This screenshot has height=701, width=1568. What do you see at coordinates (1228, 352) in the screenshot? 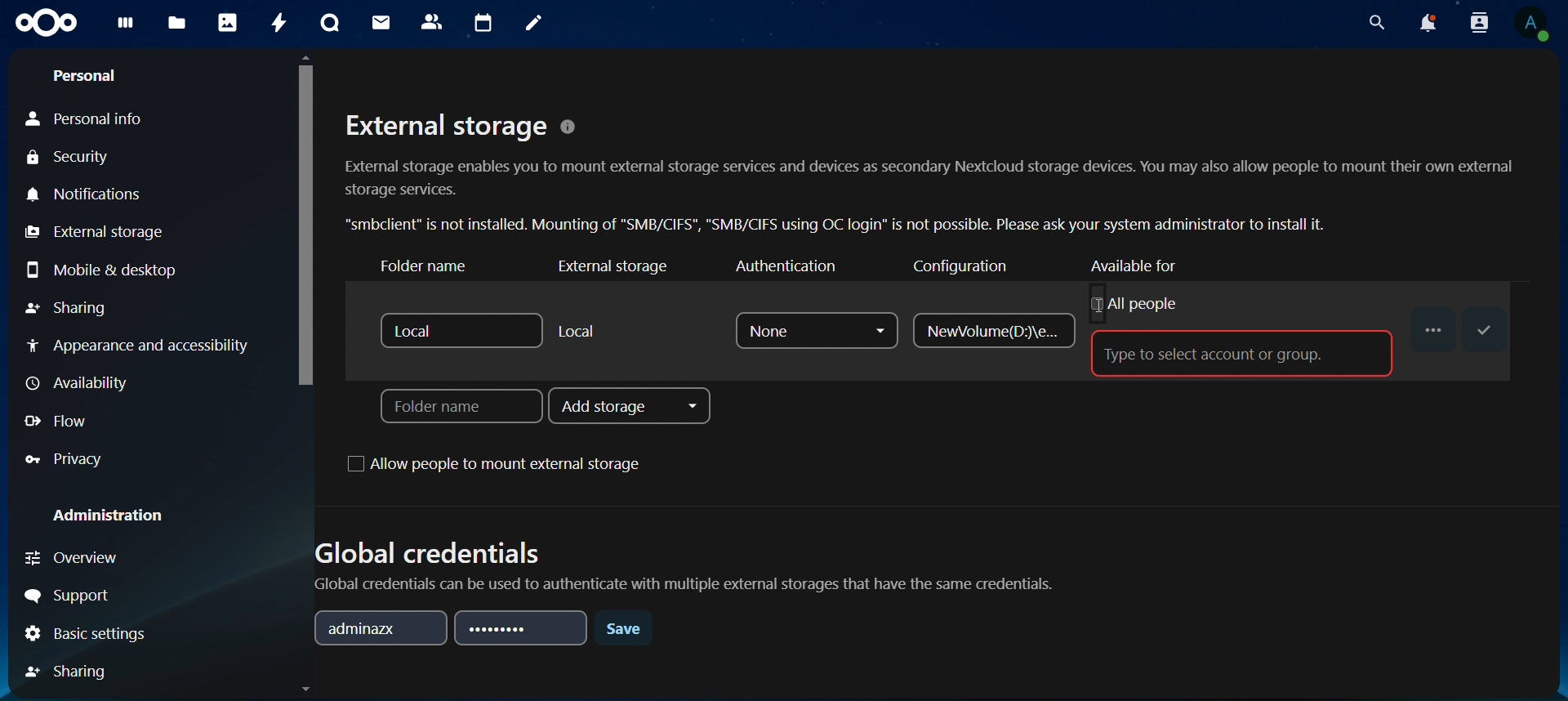
I see `type to select account or group` at bounding box center [1228, 352].